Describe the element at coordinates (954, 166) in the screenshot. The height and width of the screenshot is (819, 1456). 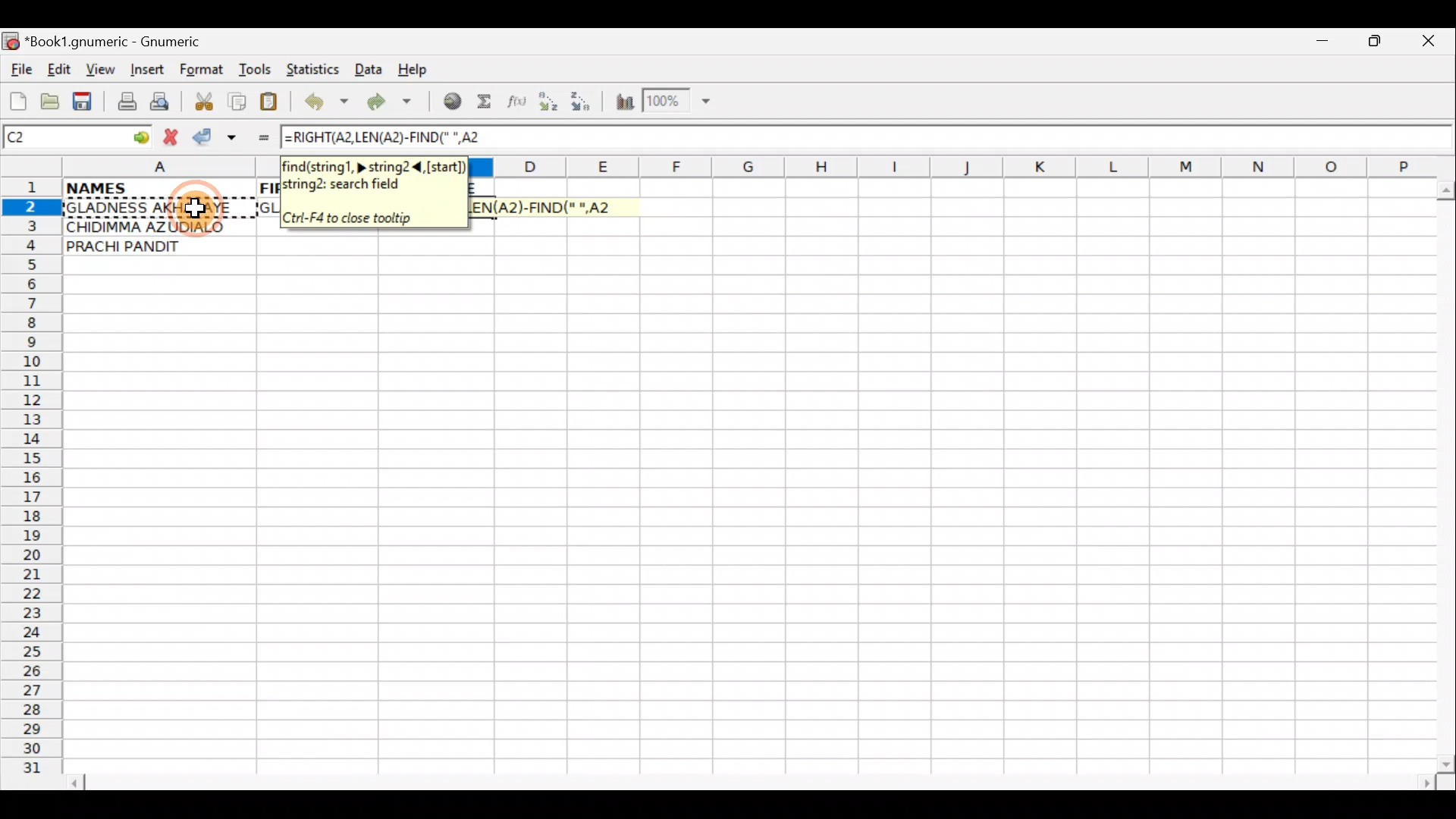
I see `Columns` at that location.